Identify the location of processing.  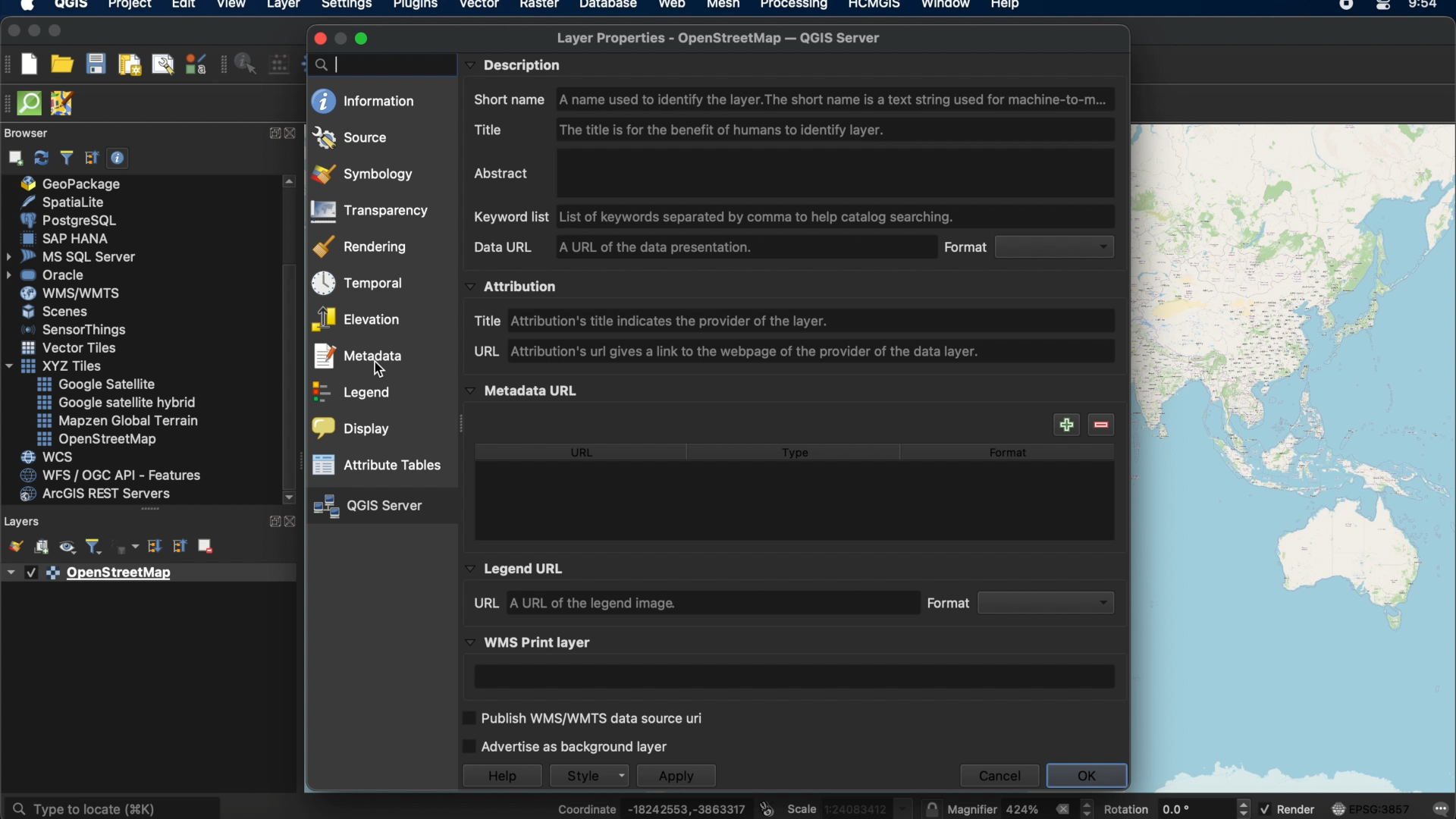
(795, 6).